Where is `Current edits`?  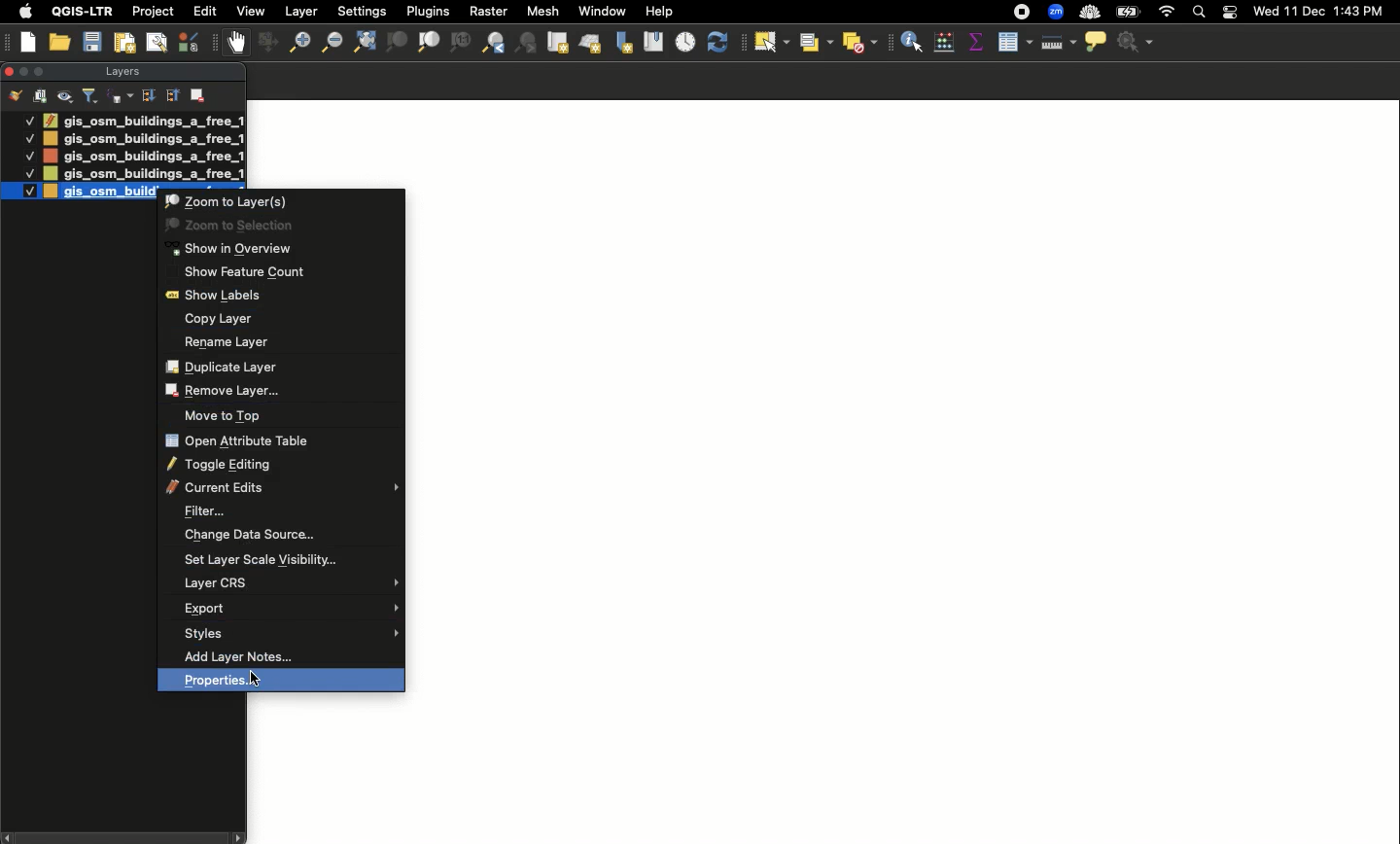 Current edits is located at coordinates (281, 488).